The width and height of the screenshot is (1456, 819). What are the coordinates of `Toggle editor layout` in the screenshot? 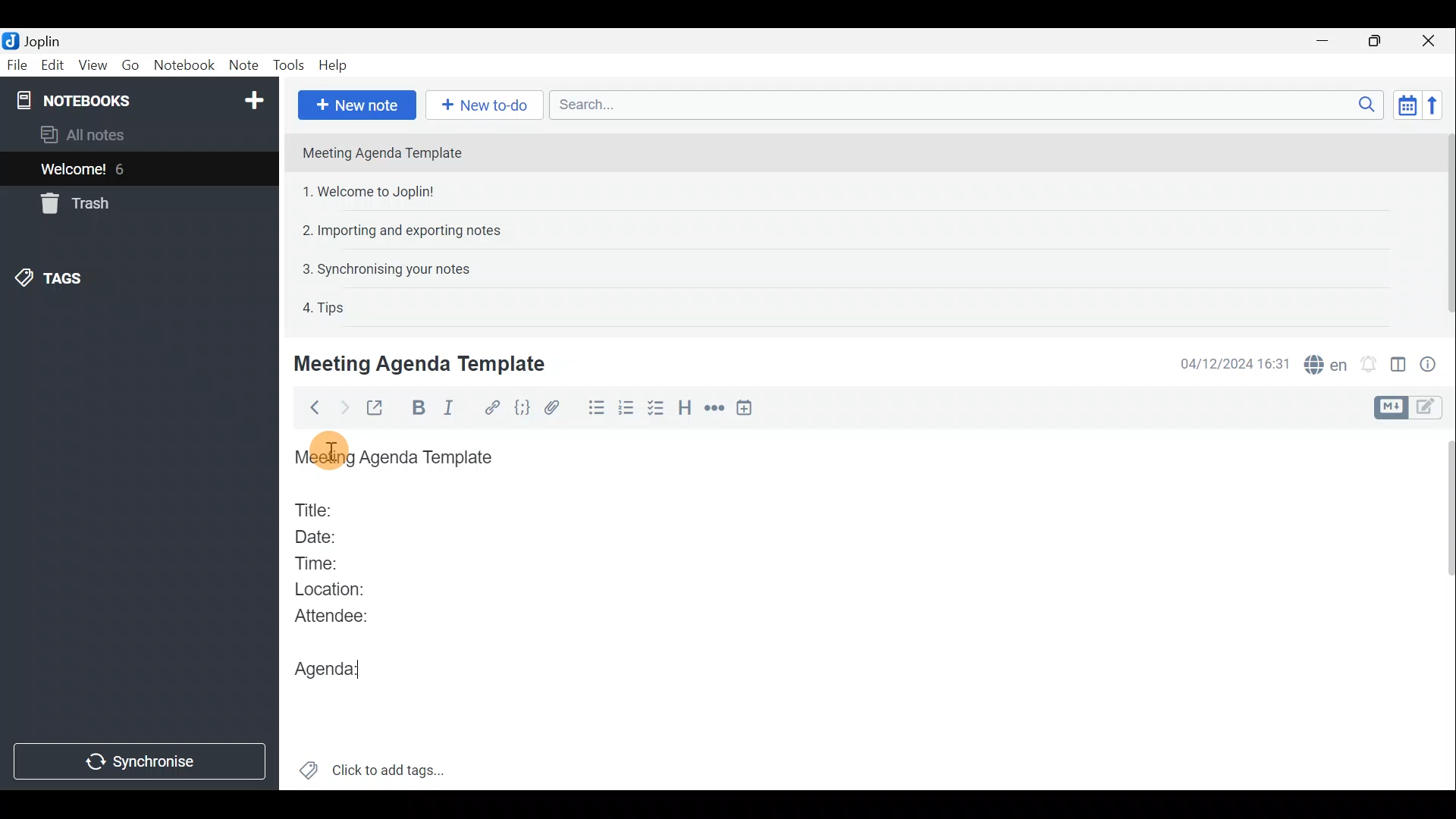 It's located at (1399, 367).